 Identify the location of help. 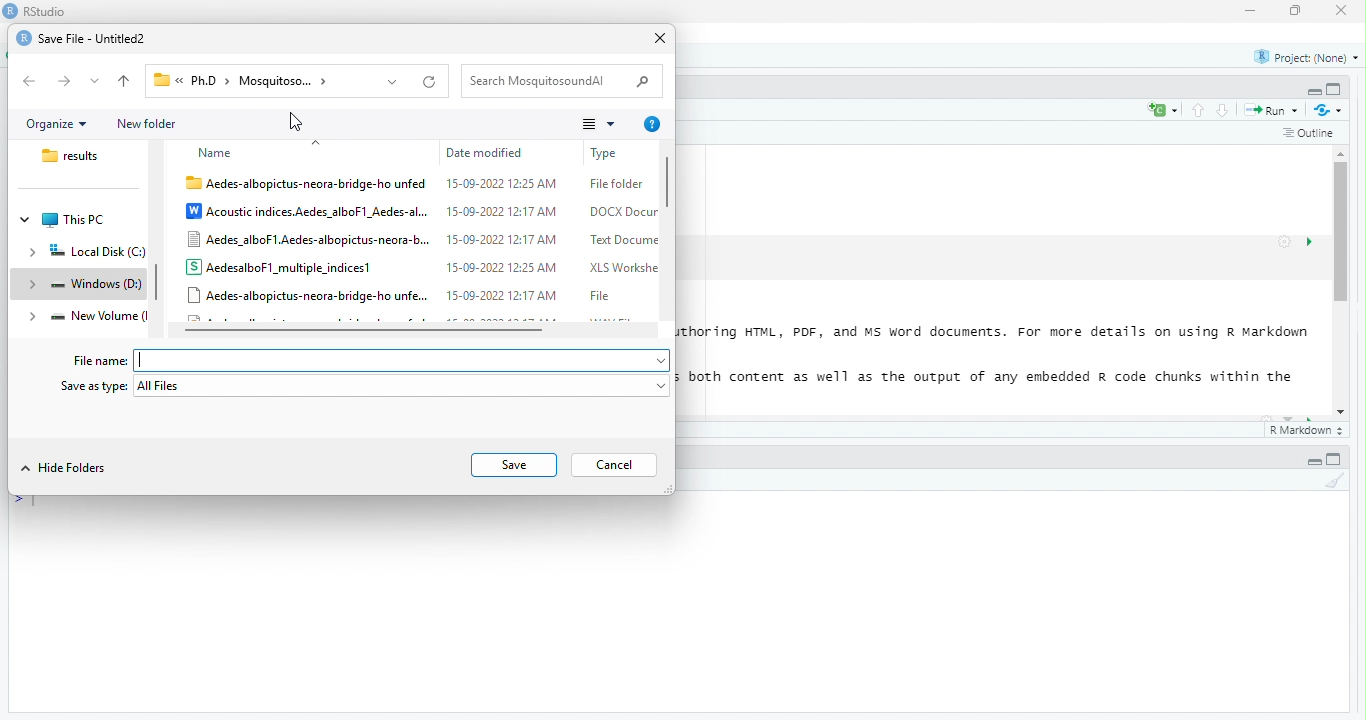
(654, 125).